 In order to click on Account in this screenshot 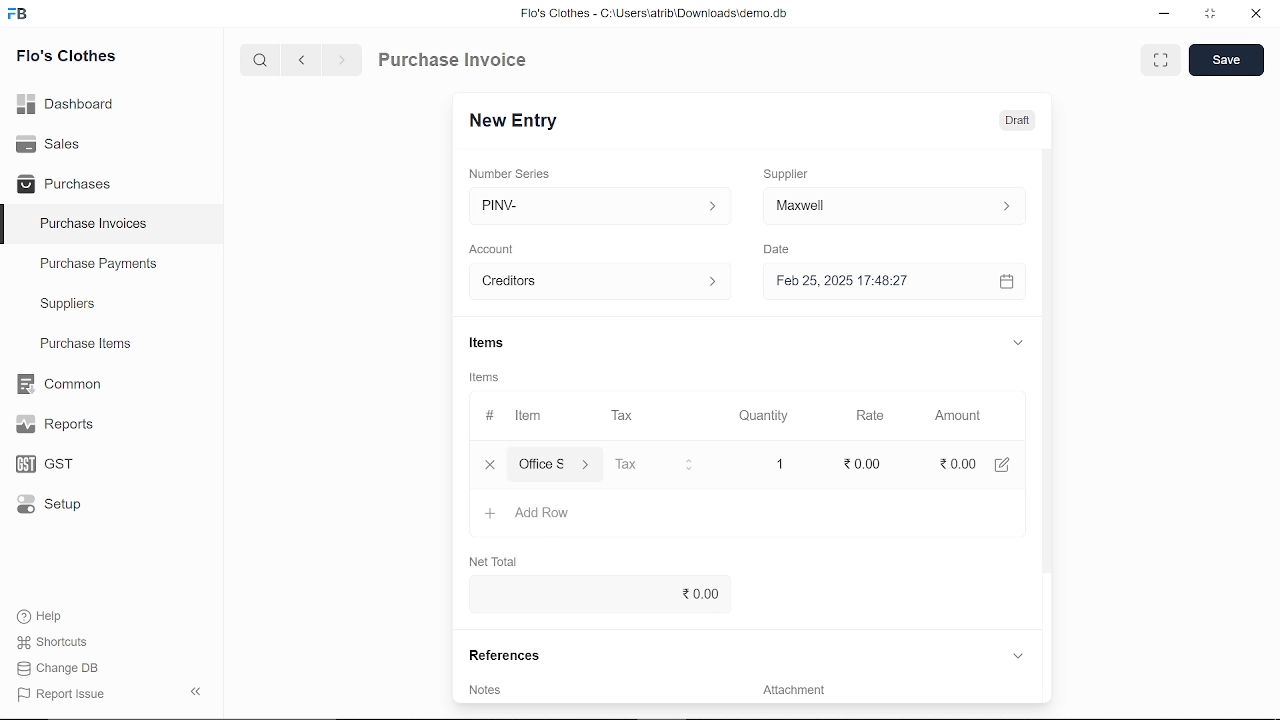, I will do `click(498, 247)`.